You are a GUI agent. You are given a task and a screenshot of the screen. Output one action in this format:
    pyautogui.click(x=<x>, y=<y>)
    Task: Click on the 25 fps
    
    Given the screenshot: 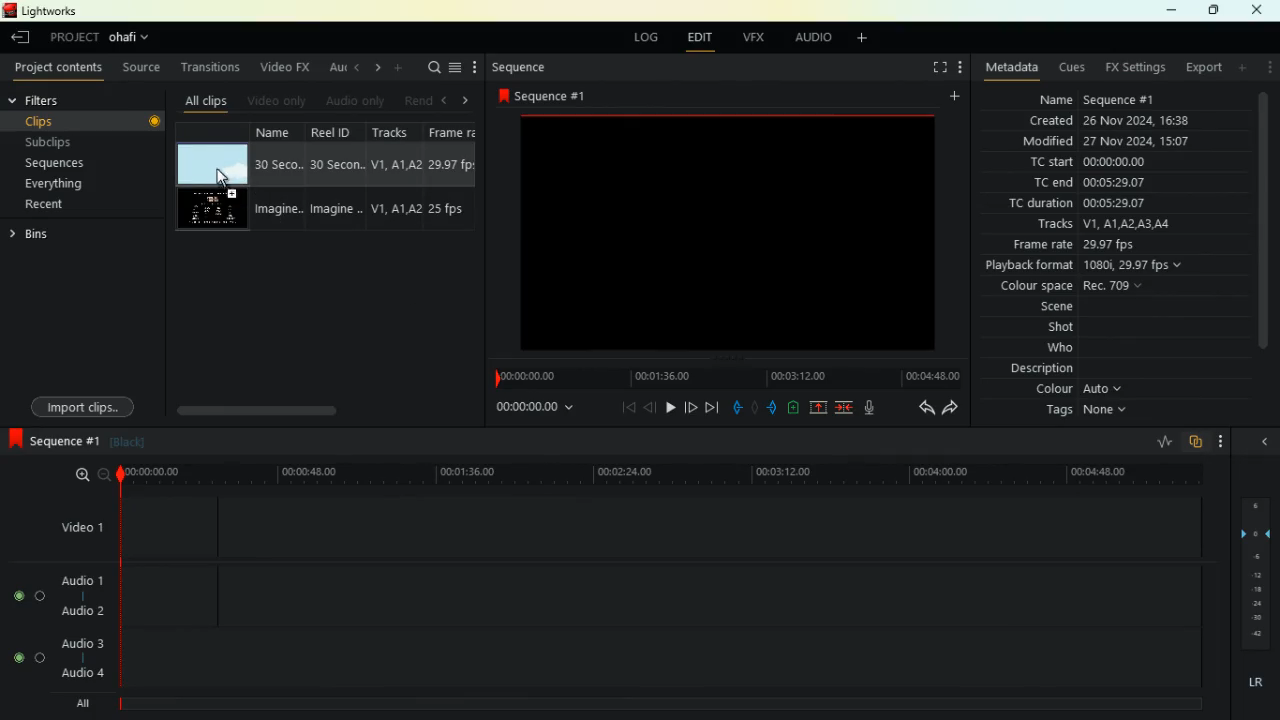 What is the action you would take?
    pyautogui.click(x=454, y=209)
    